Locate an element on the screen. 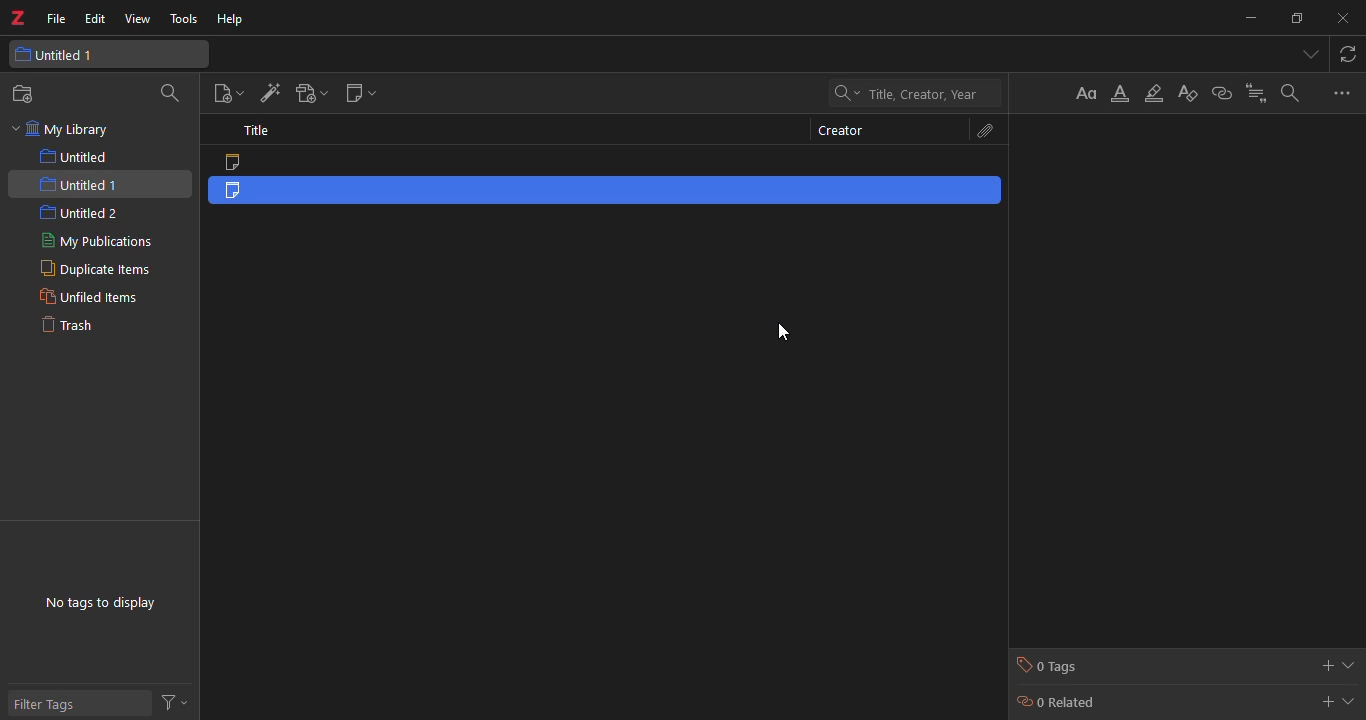 This screenshot has width=1366, height=720. format text is located at coordinates (1077, 95).